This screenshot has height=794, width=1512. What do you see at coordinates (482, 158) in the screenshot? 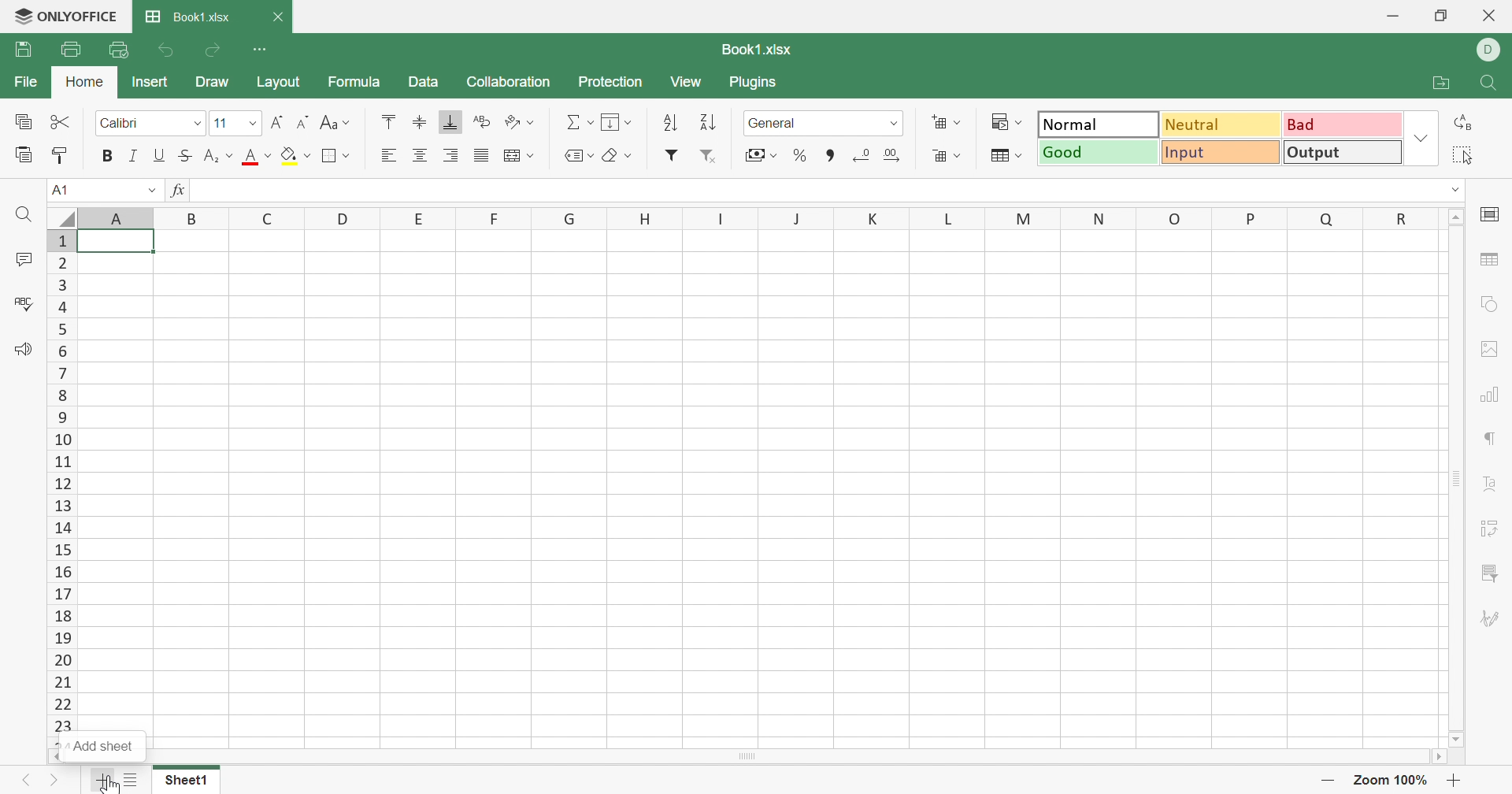
I see `Justified` at bounding box center [482, 158].